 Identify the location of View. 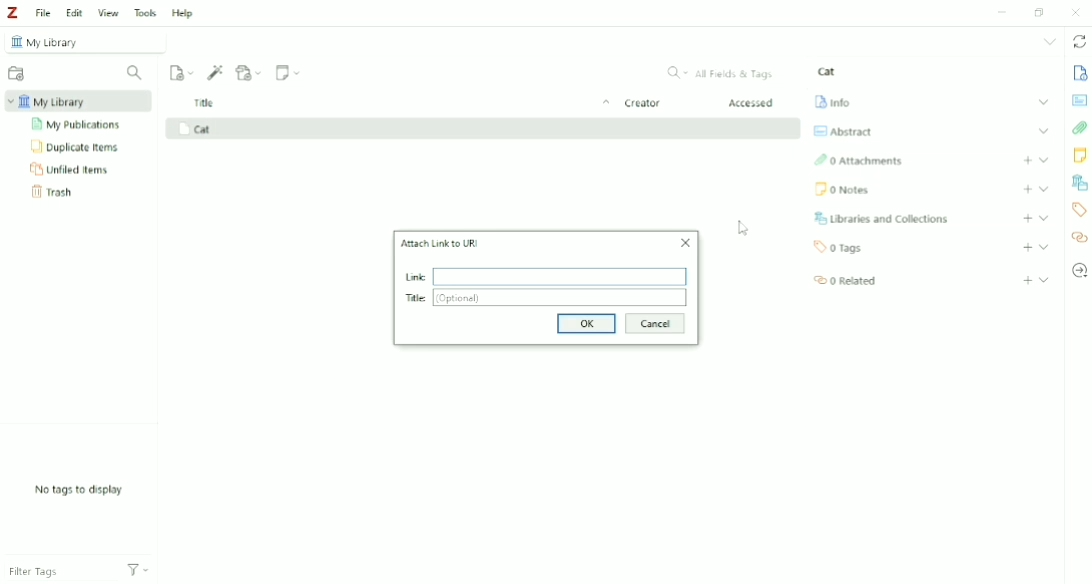
(109, 12).